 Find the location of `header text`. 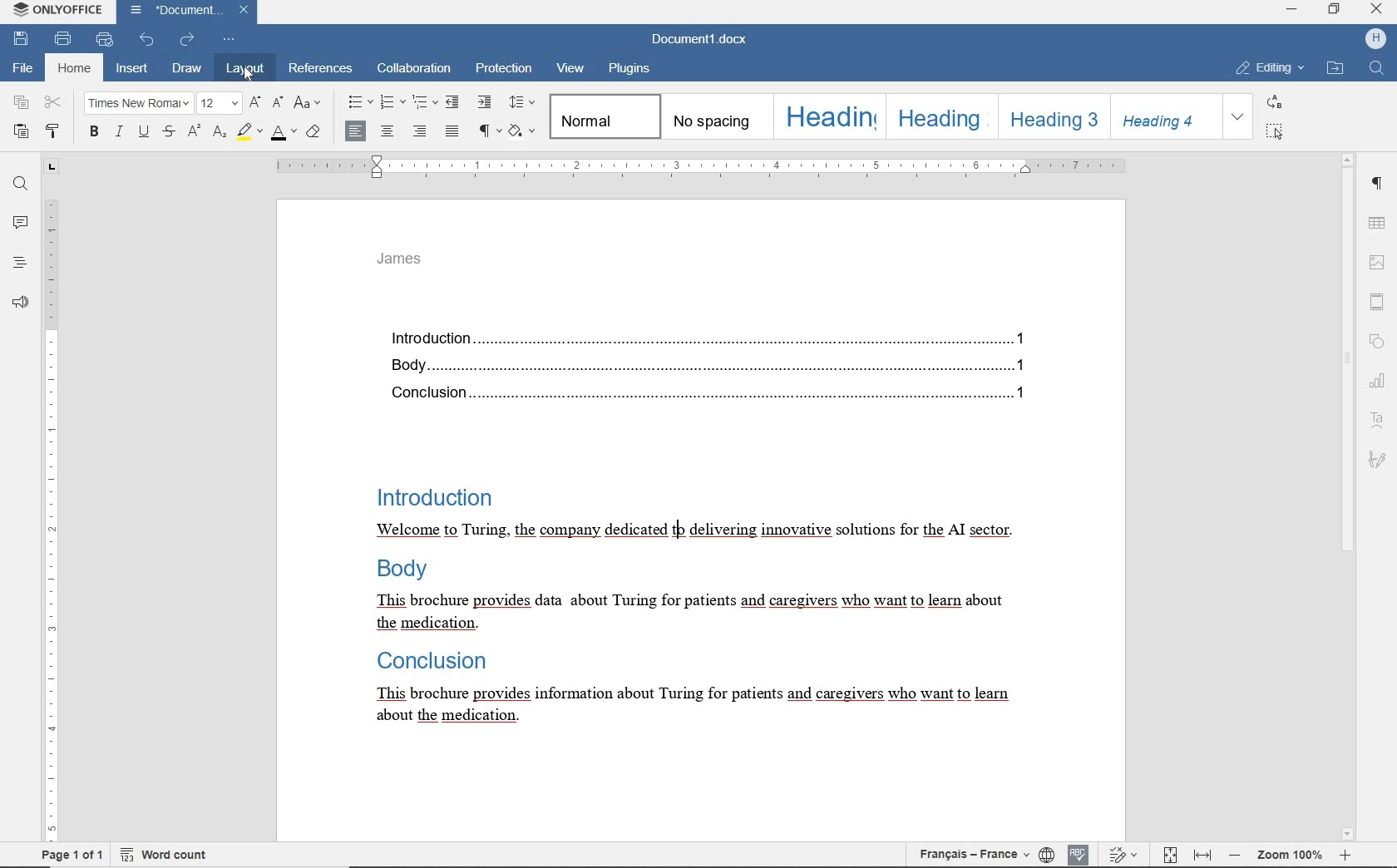

header text is located at coordinates (417, 259).